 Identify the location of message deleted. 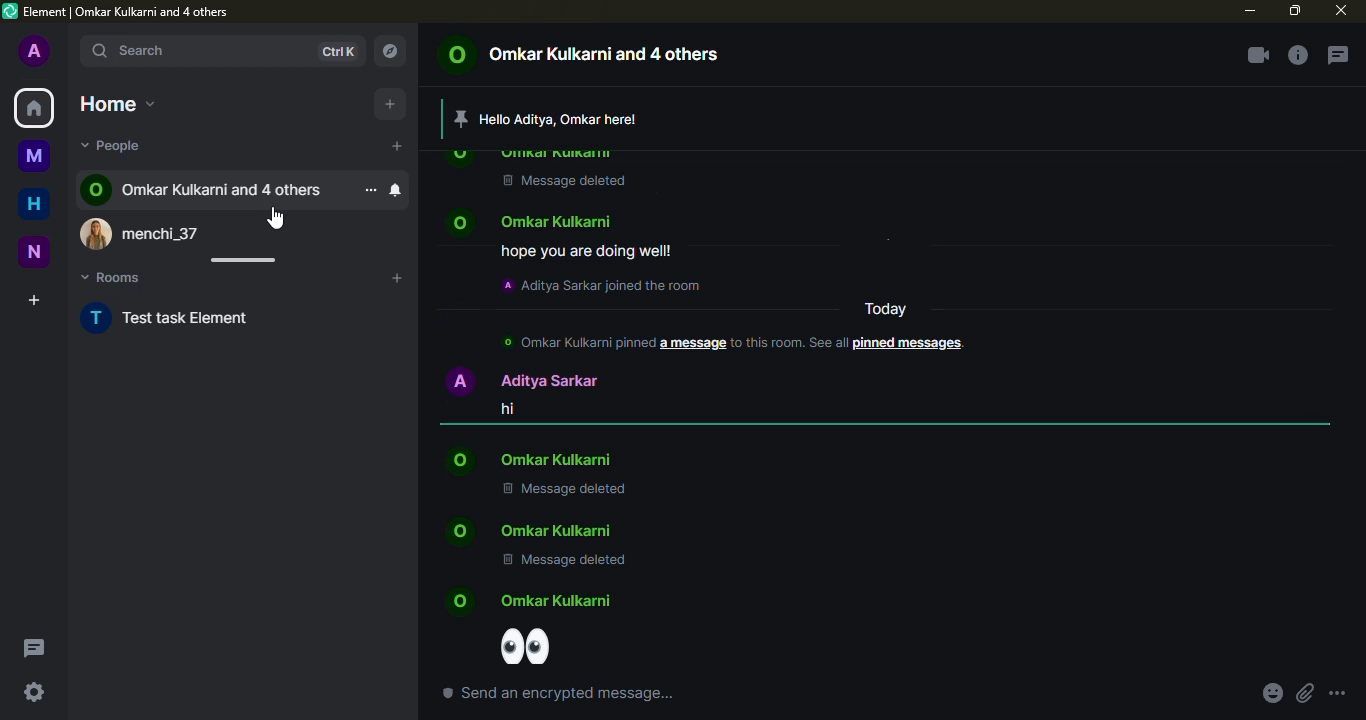
(565, 560).